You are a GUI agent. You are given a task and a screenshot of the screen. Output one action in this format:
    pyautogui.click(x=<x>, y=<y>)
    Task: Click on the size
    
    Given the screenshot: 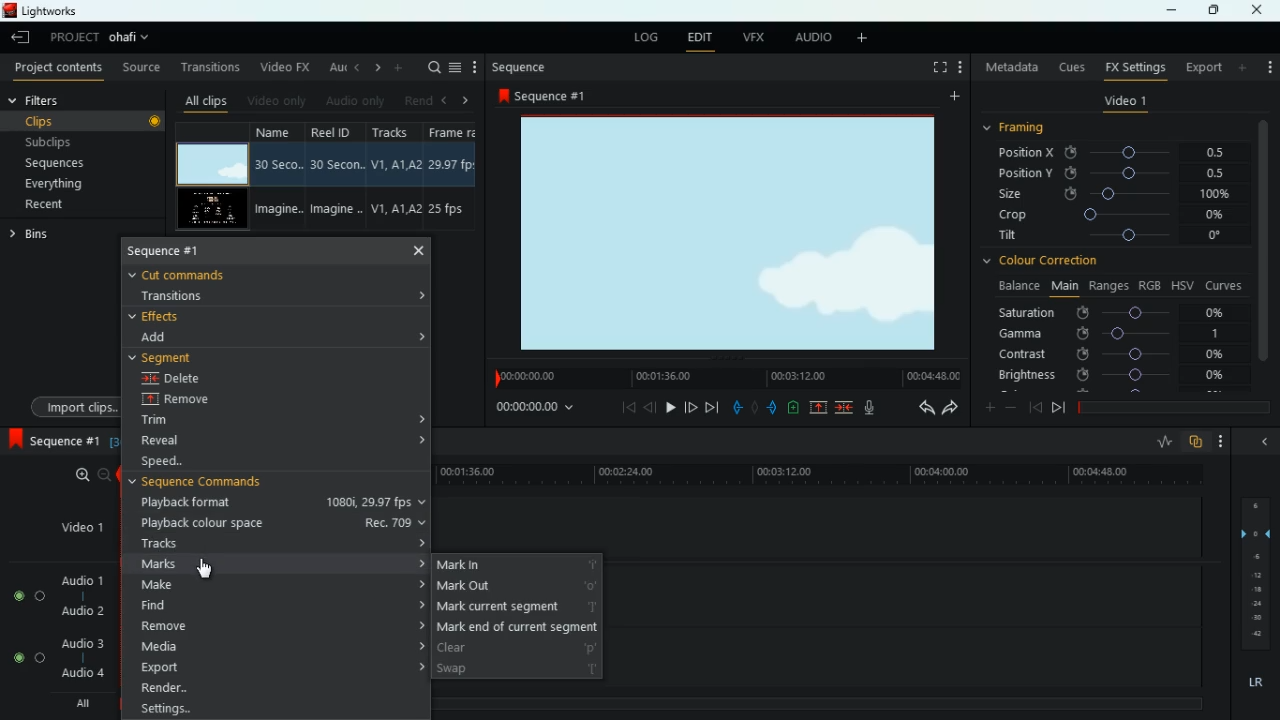 What is the action you would take?
    pyautogui.click(x=1111, y=194)
    